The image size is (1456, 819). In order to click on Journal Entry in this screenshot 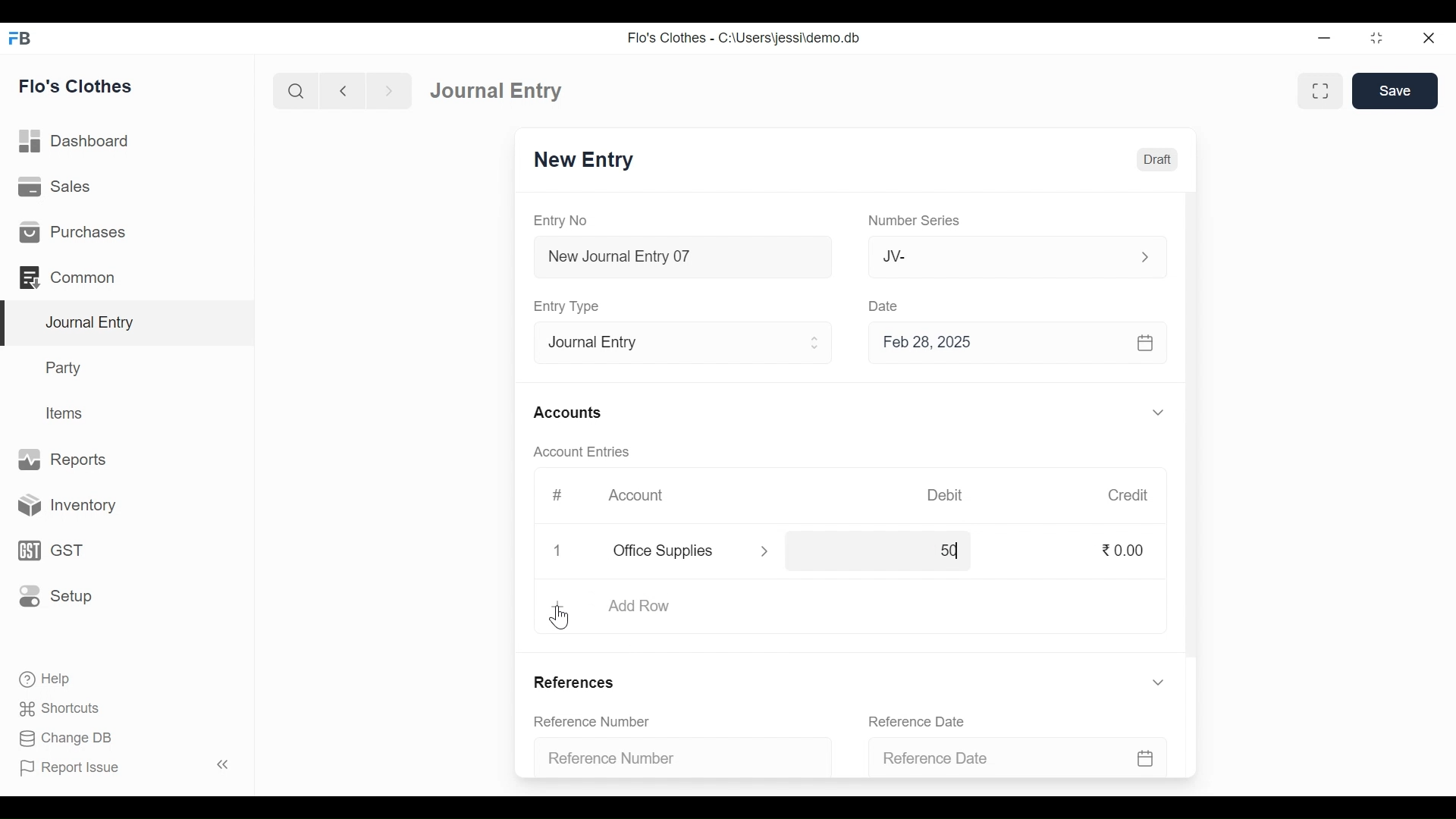, I will do `click(502, 90)`.